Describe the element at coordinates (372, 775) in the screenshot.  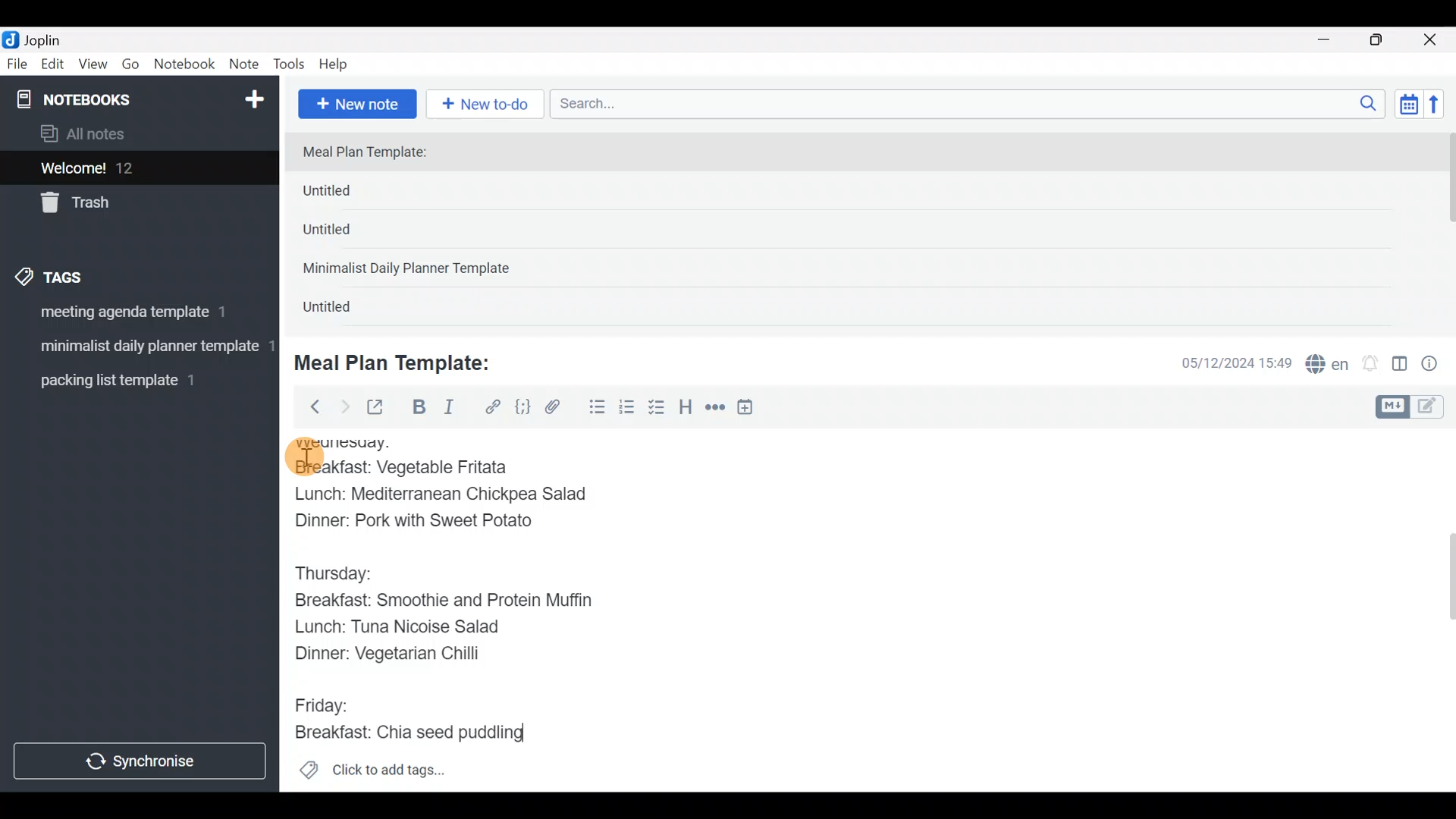
I see `Click to add tags` at that location.